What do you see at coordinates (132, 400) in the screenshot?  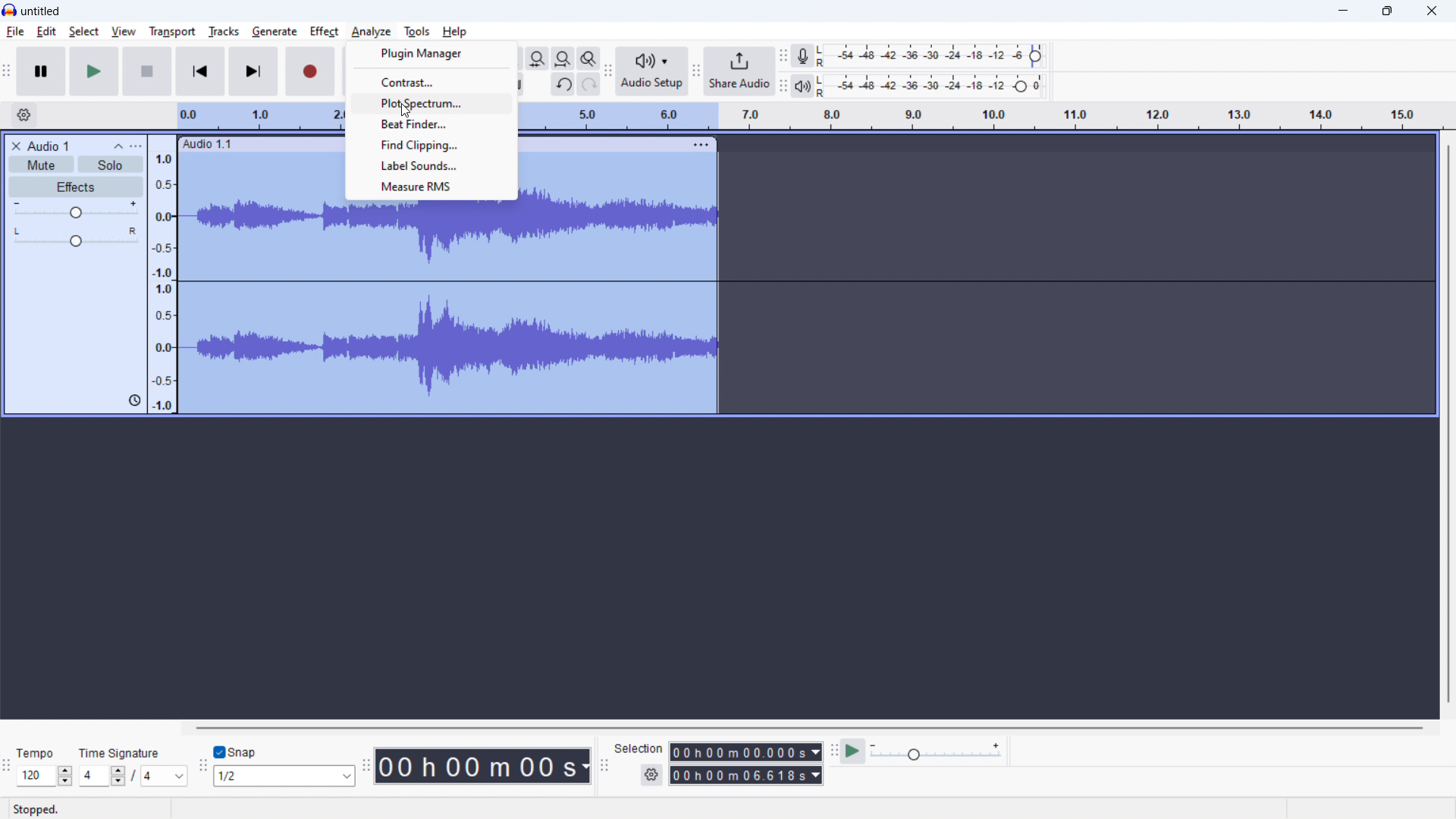 I see `icon` at bounding box center [132, 400].